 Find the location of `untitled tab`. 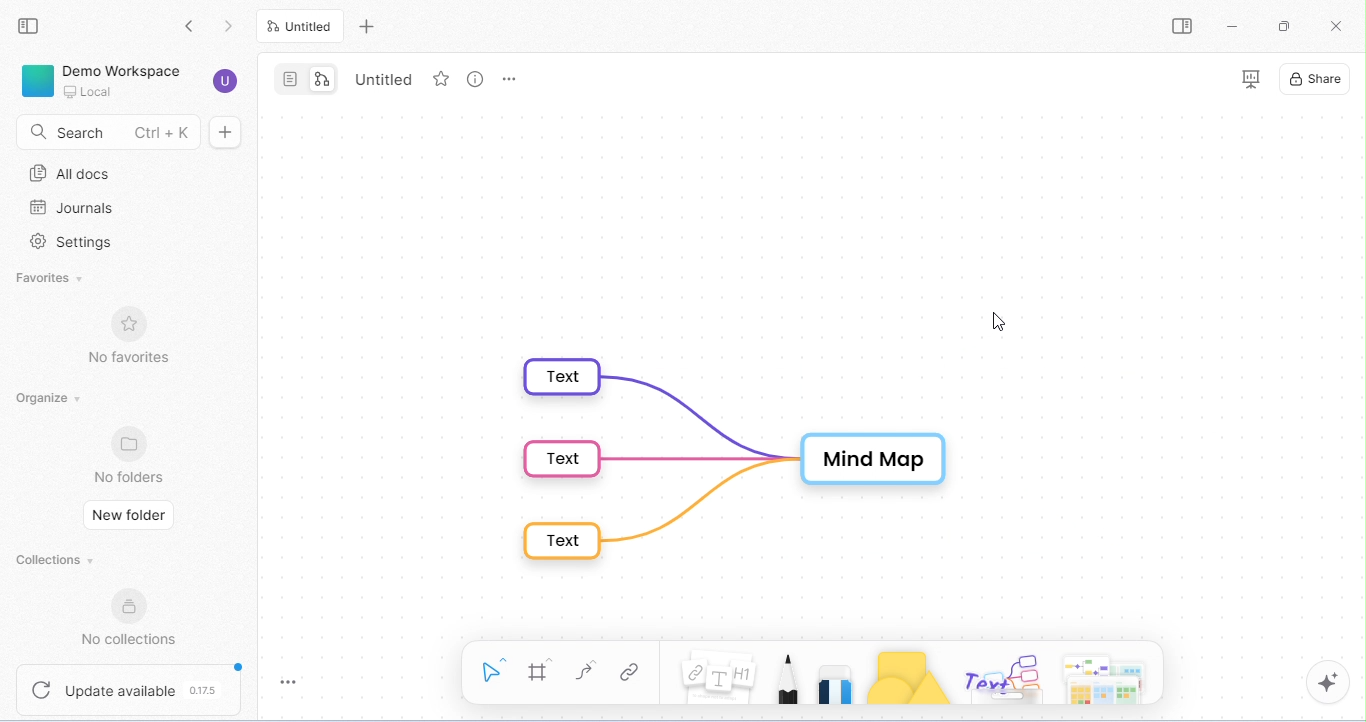

untitled tab is located at coordinates (303, 26).